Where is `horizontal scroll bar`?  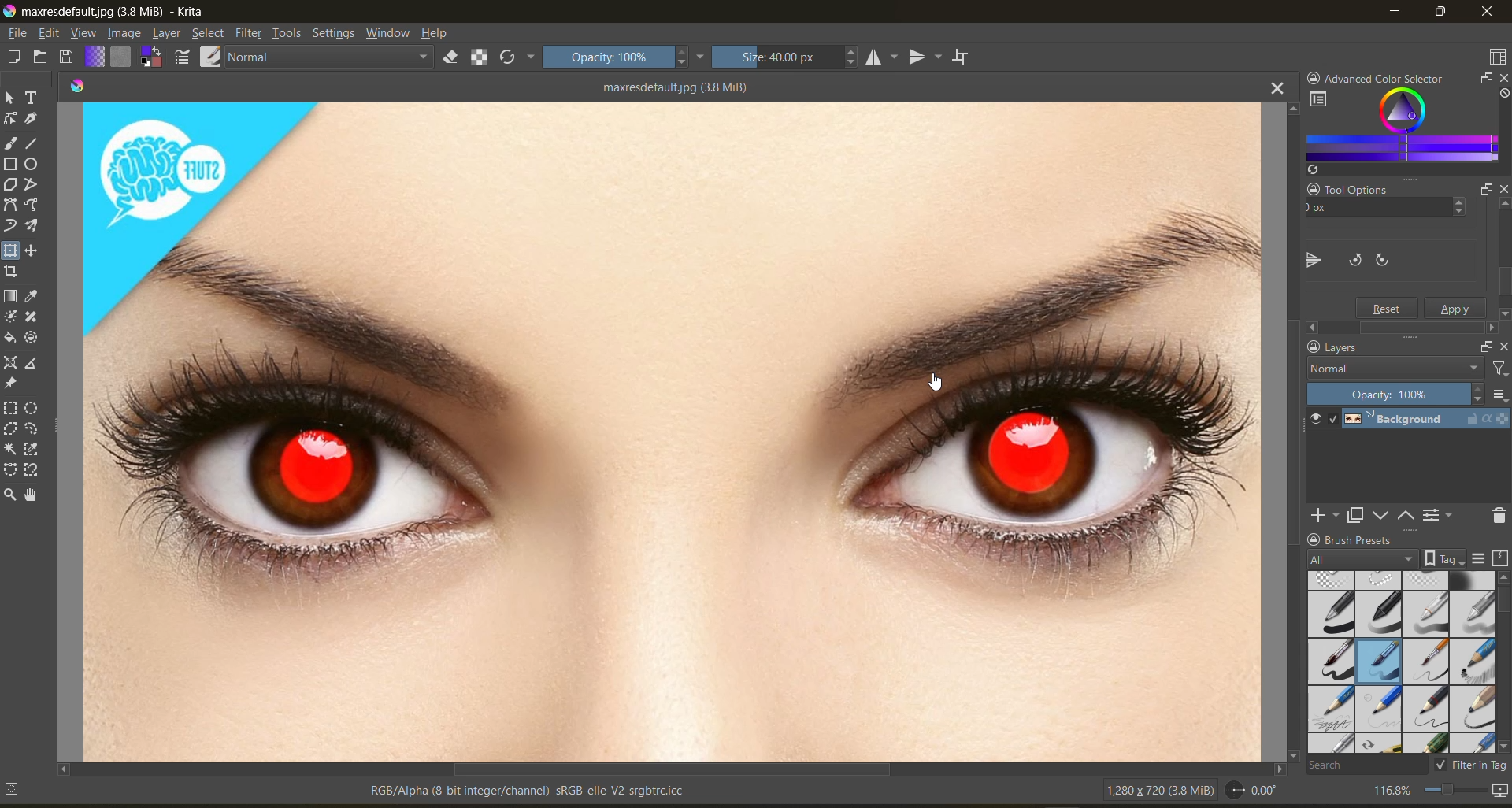 horizontal scroll bar is located at coordinates (665, 769).